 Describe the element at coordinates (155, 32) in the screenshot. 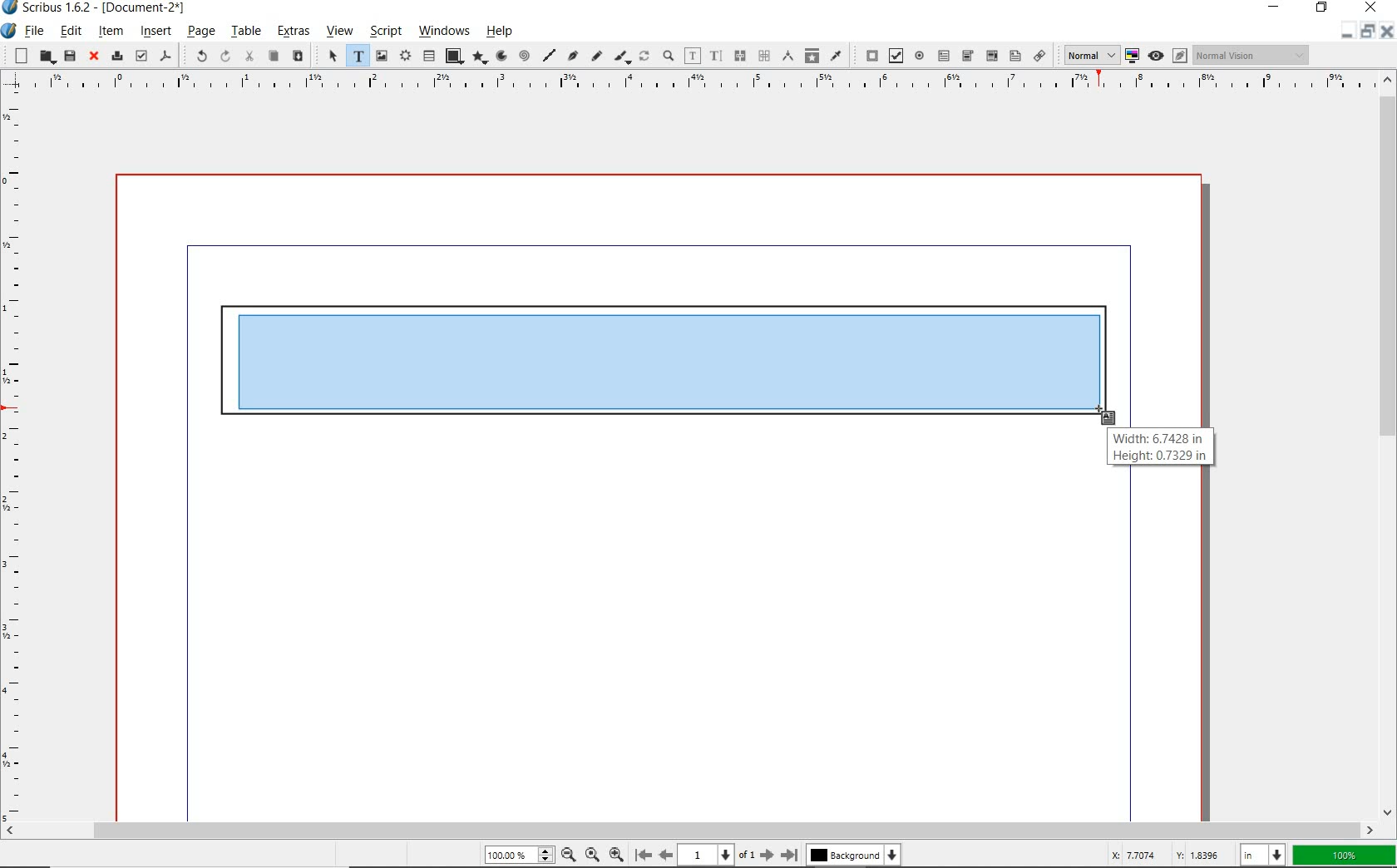

I see `insert` at that location.